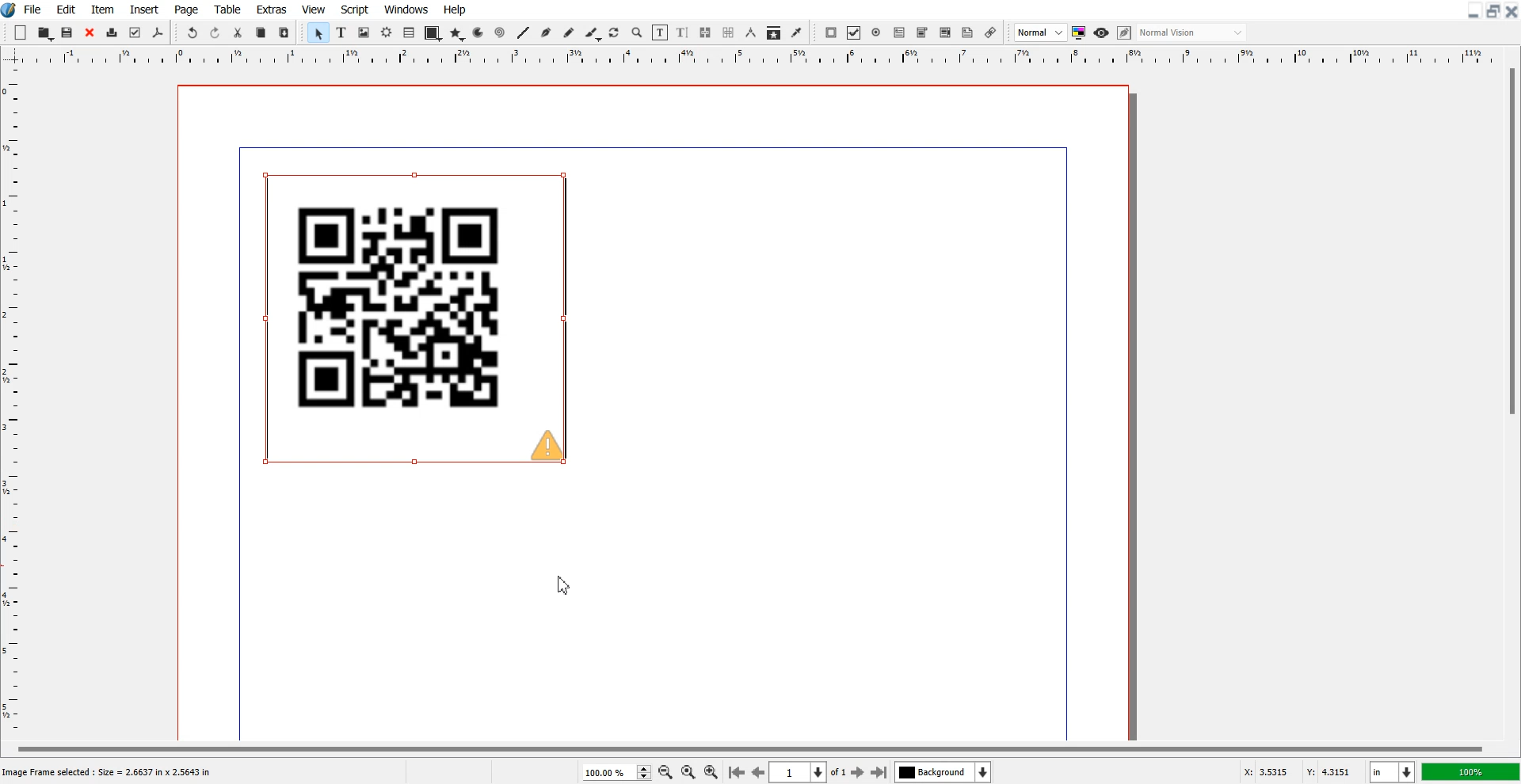 This screenshot has height=784, width=1521. Describe the element at coordinates (10, 10) in the screenshot. I see `Logo` at that location.